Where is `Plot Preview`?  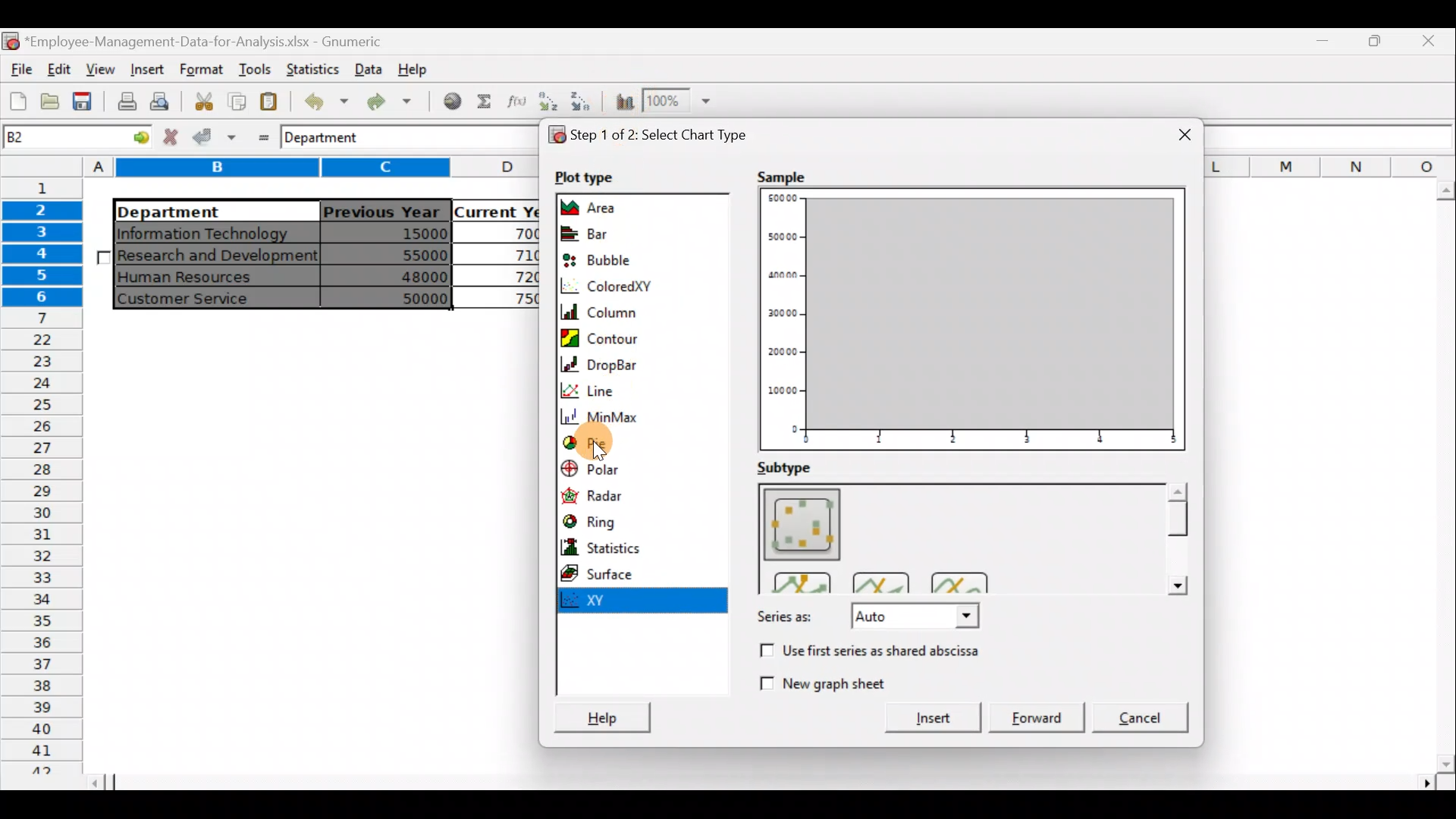
Plot Preview is located at coordinates (974, 321).